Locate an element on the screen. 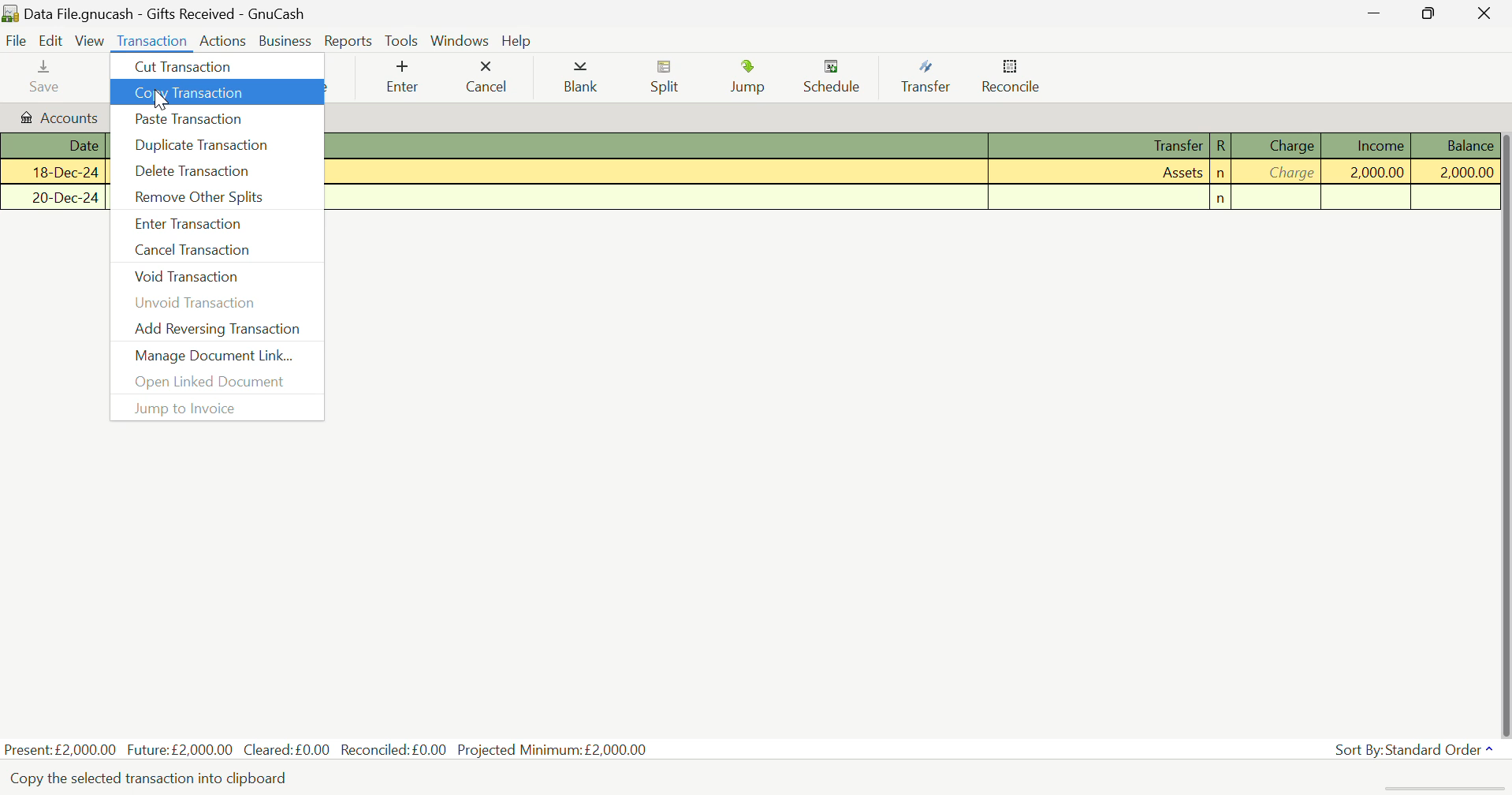  Balance is located at coordinates (1455, 197).